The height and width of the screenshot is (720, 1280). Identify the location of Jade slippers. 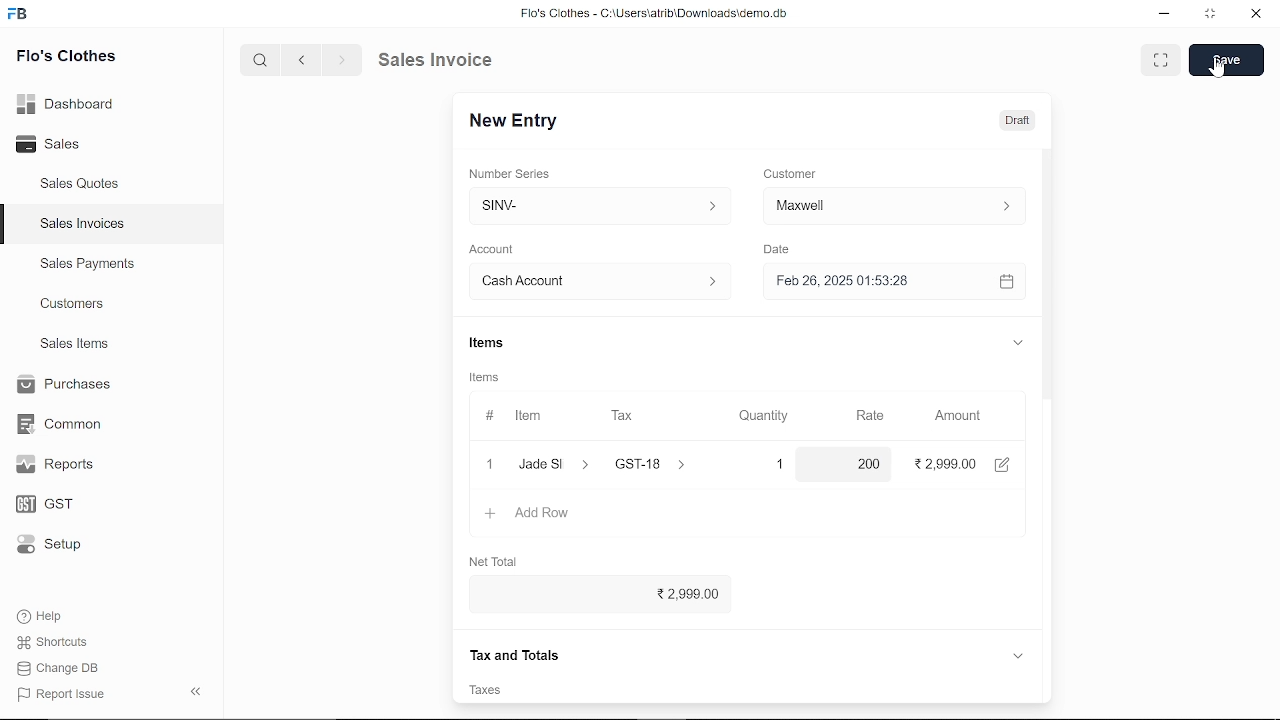
(555, 464).